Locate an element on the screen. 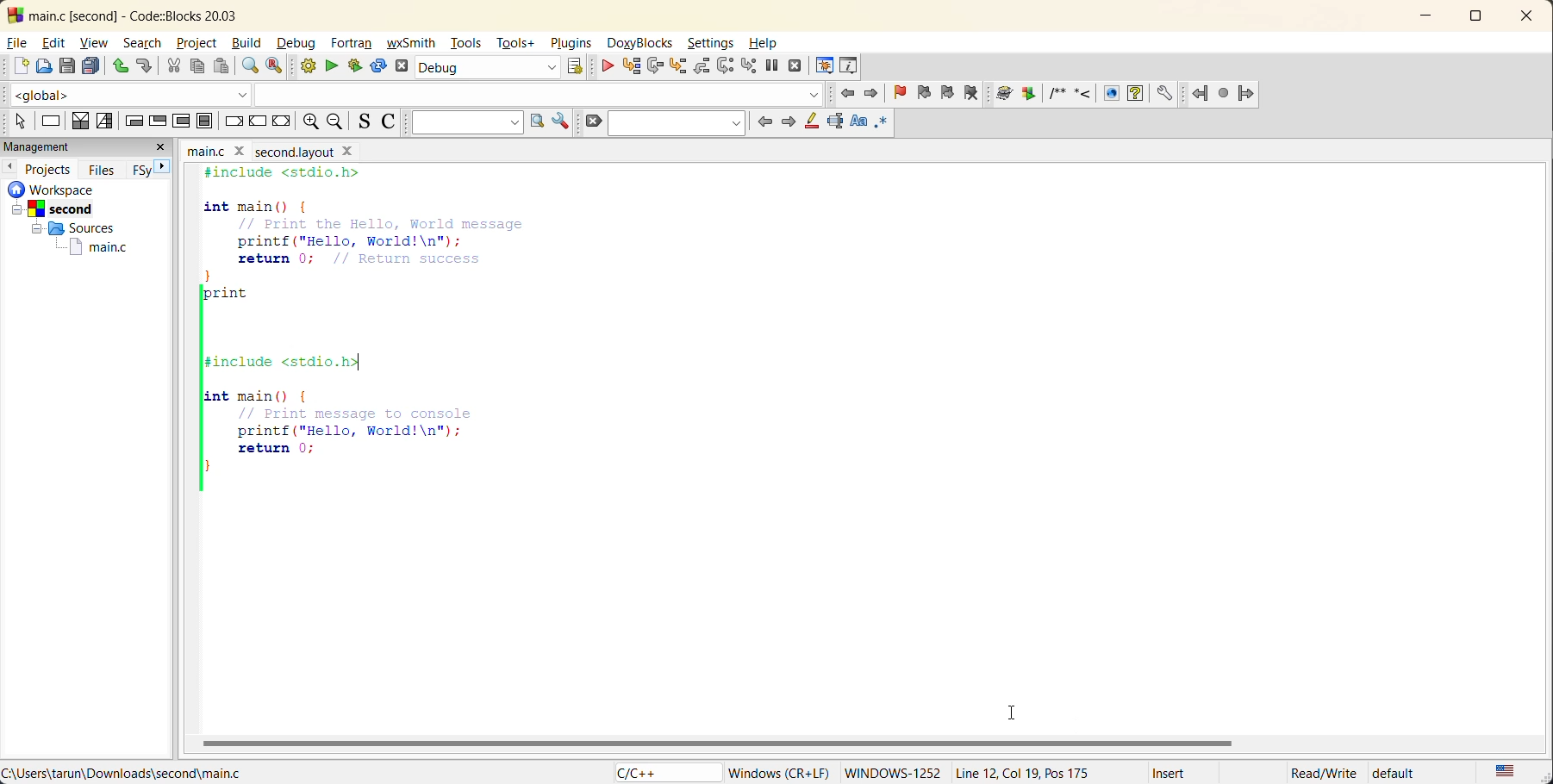 Image resolution: width=1553 pixels, height=784 pixels. show options window is located at coordinates (561, 122).